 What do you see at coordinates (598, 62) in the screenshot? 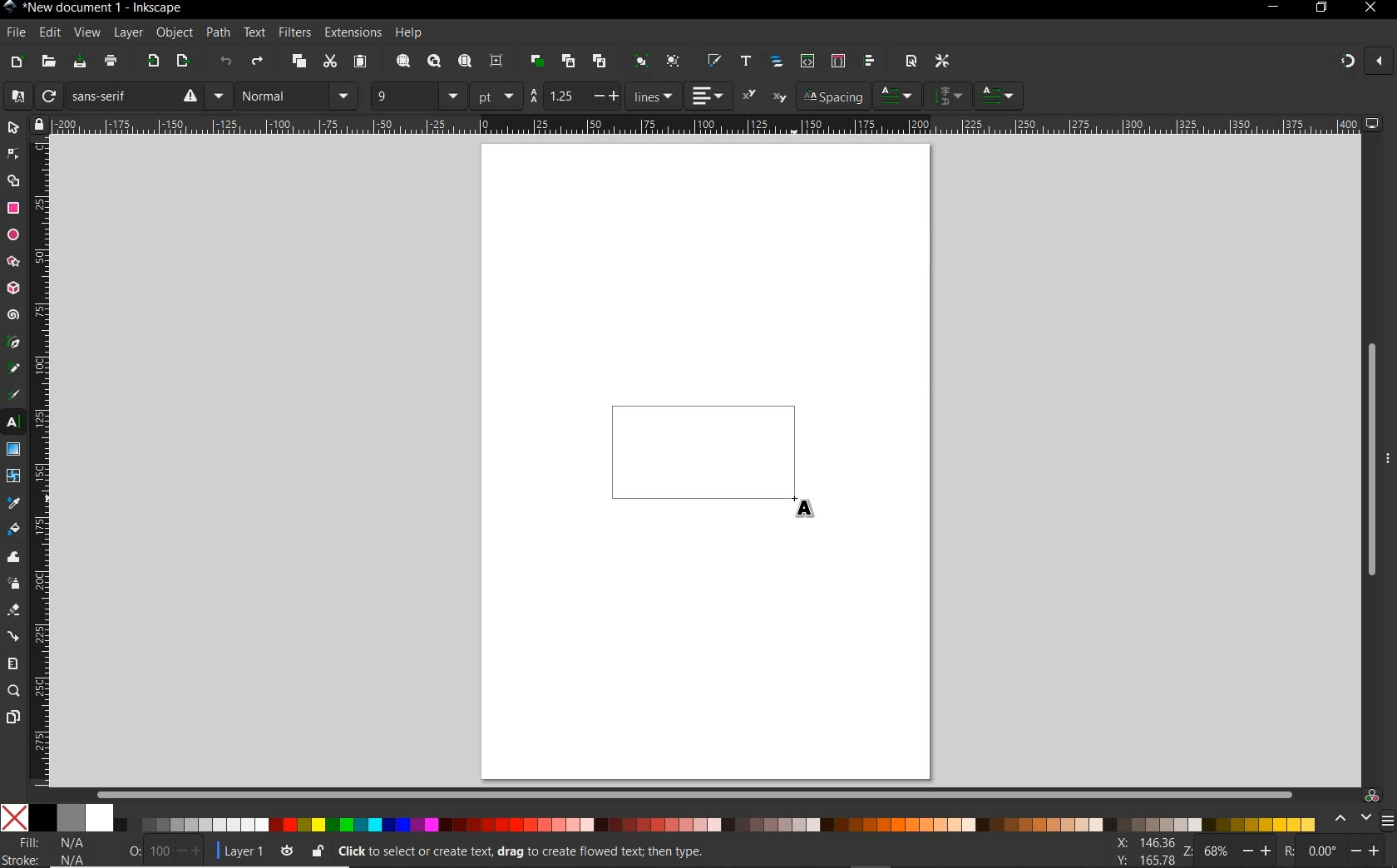
I see `unlink clone` at bounding box center [598, 62].